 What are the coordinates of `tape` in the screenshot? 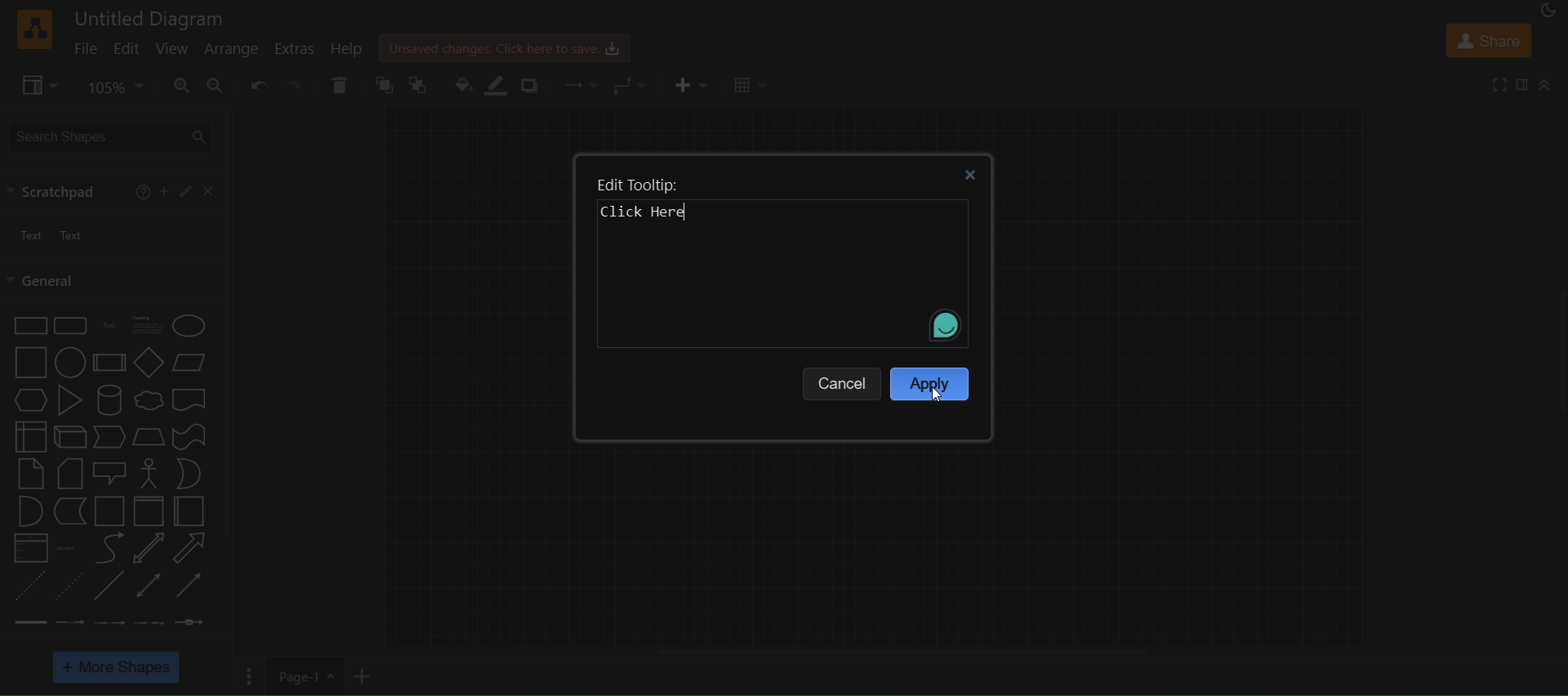 It's located at (188, 437).